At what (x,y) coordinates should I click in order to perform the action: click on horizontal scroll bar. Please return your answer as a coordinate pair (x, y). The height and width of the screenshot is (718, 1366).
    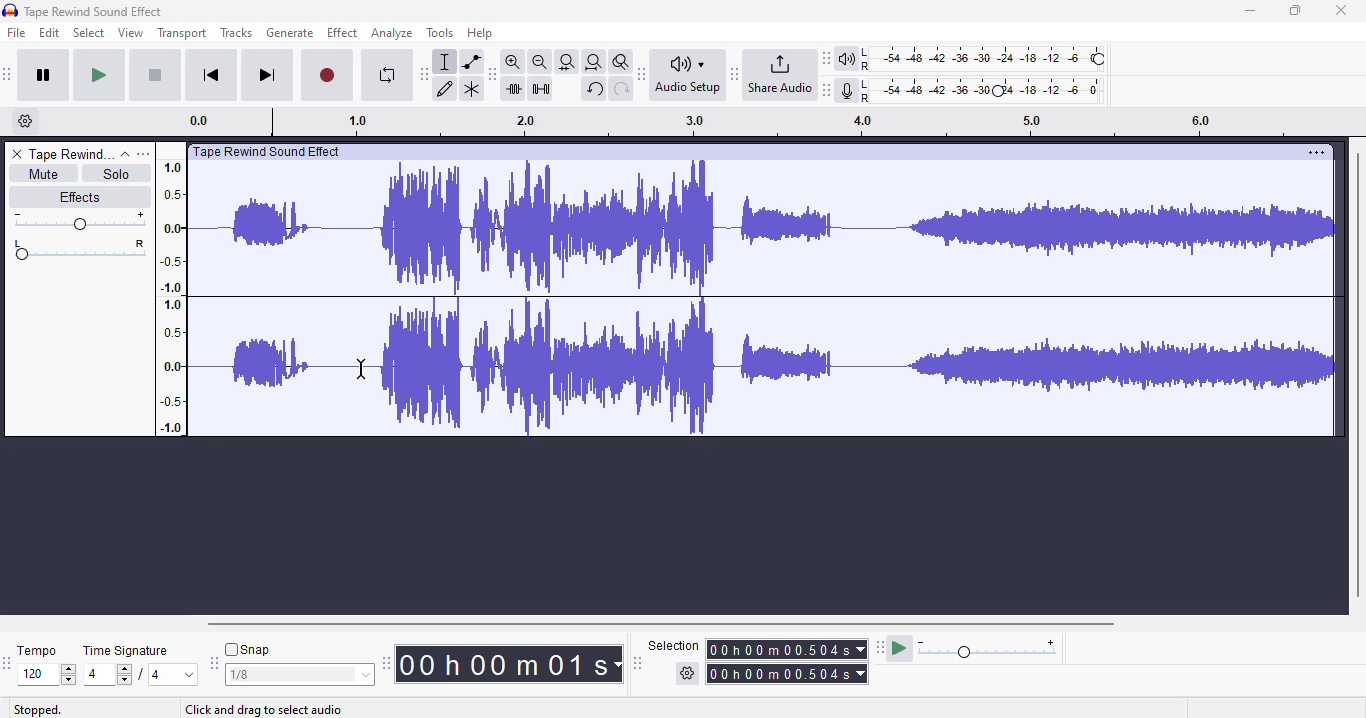
    Looking at the image, I should click on (663, 624).